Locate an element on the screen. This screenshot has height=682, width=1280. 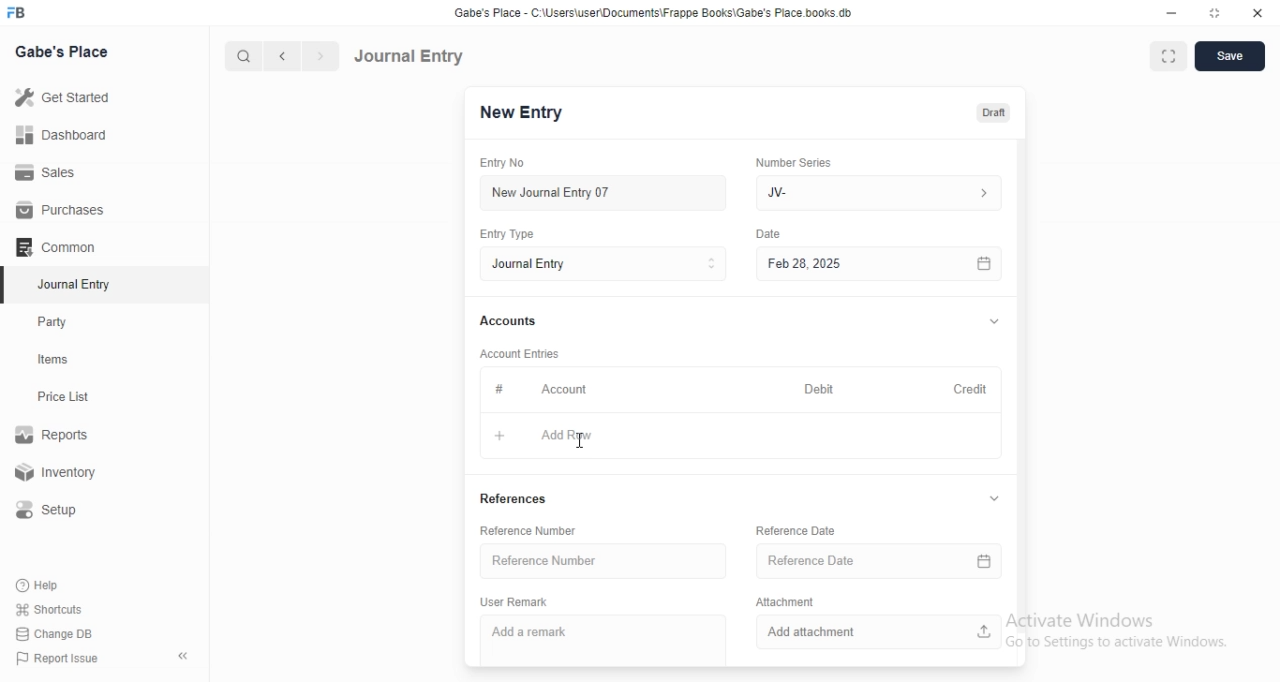
search is located at coordinates (241, 56).